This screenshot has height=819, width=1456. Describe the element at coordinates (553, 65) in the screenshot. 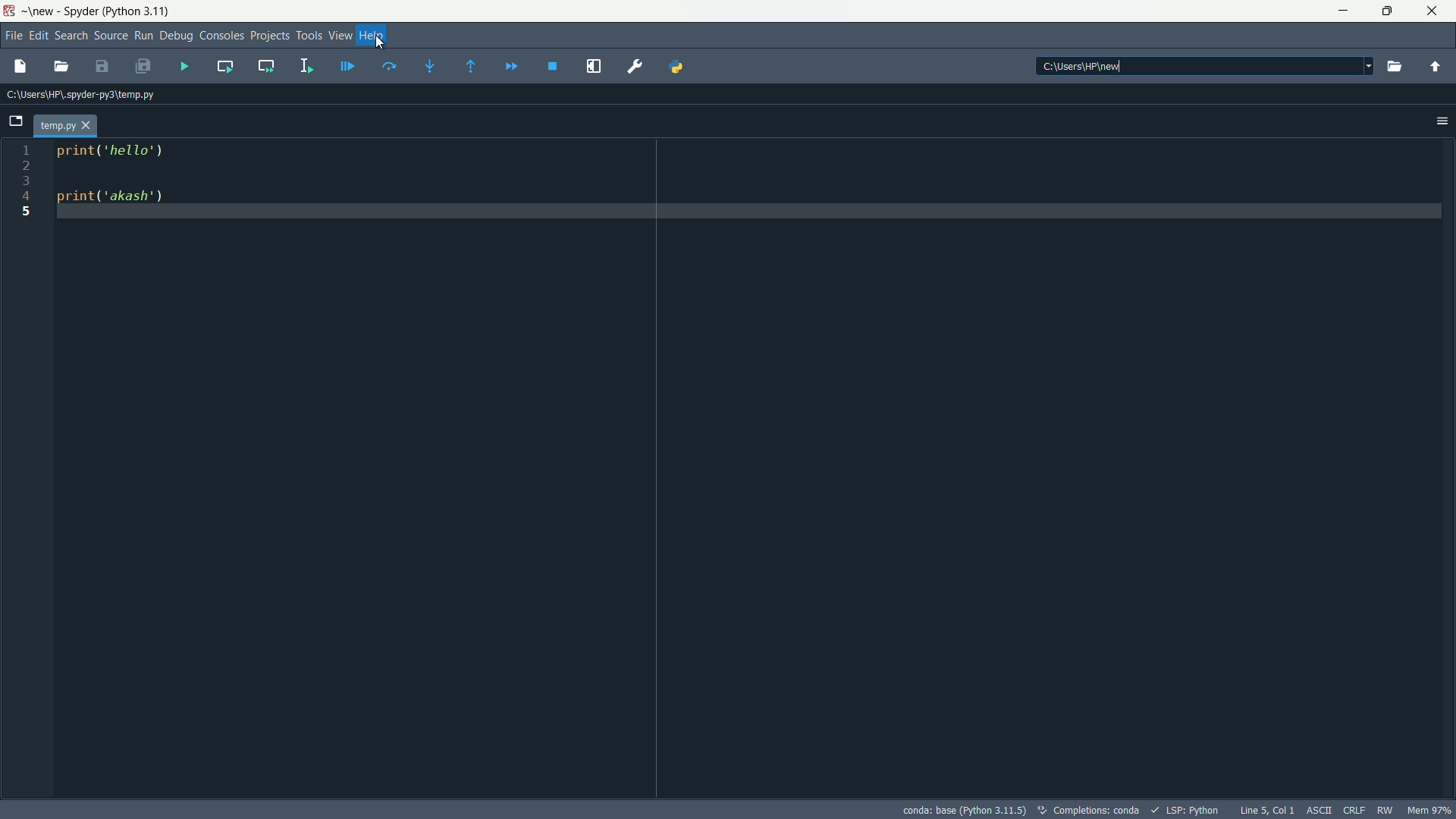

I see `stop debugging` at that location.